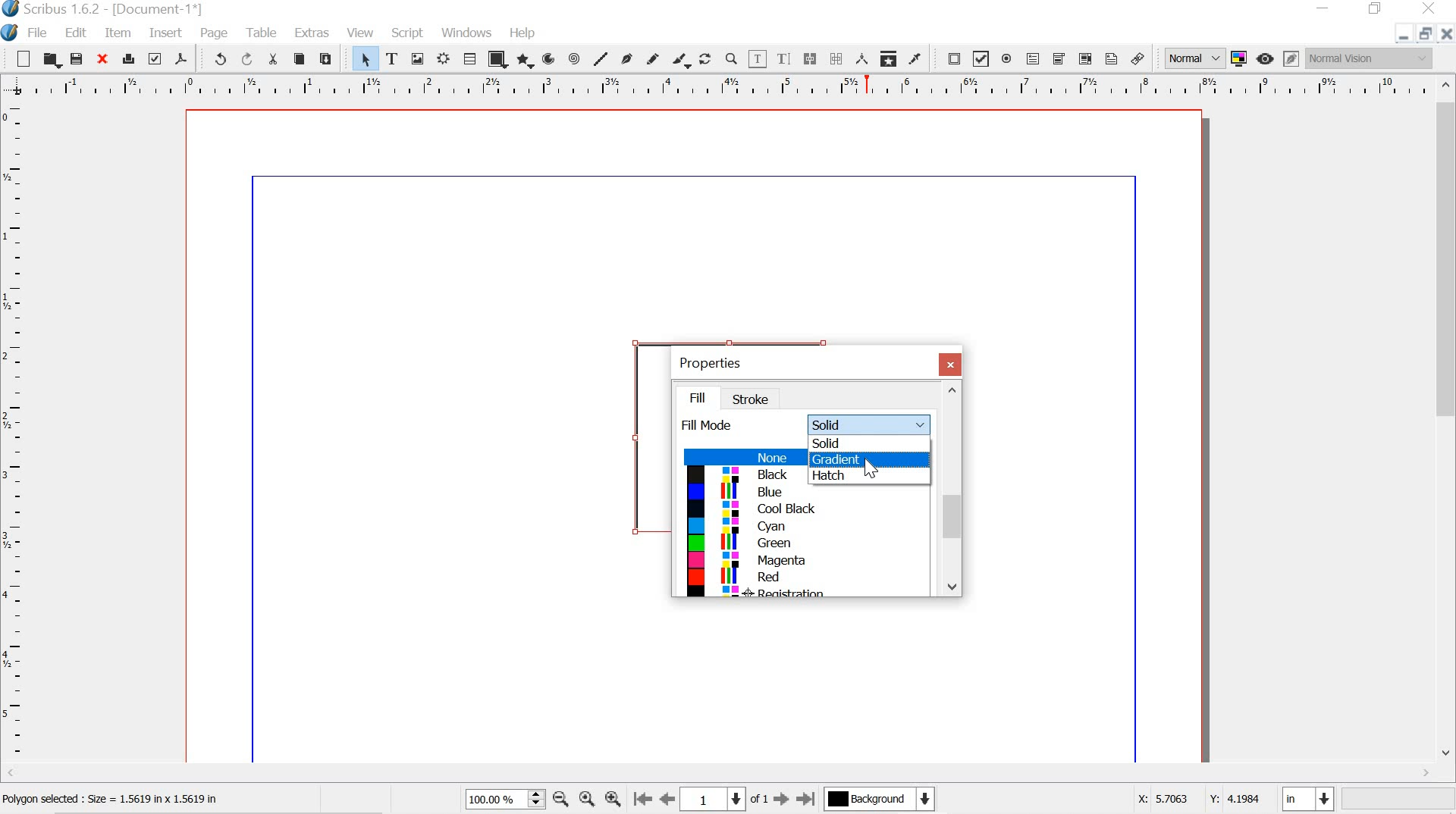 The height and width of the screenshot is (814, 1456). What do you see at coordinates (1401, 36) in the screenshot?
I see `minimize` at bounding box center [1401, 36].